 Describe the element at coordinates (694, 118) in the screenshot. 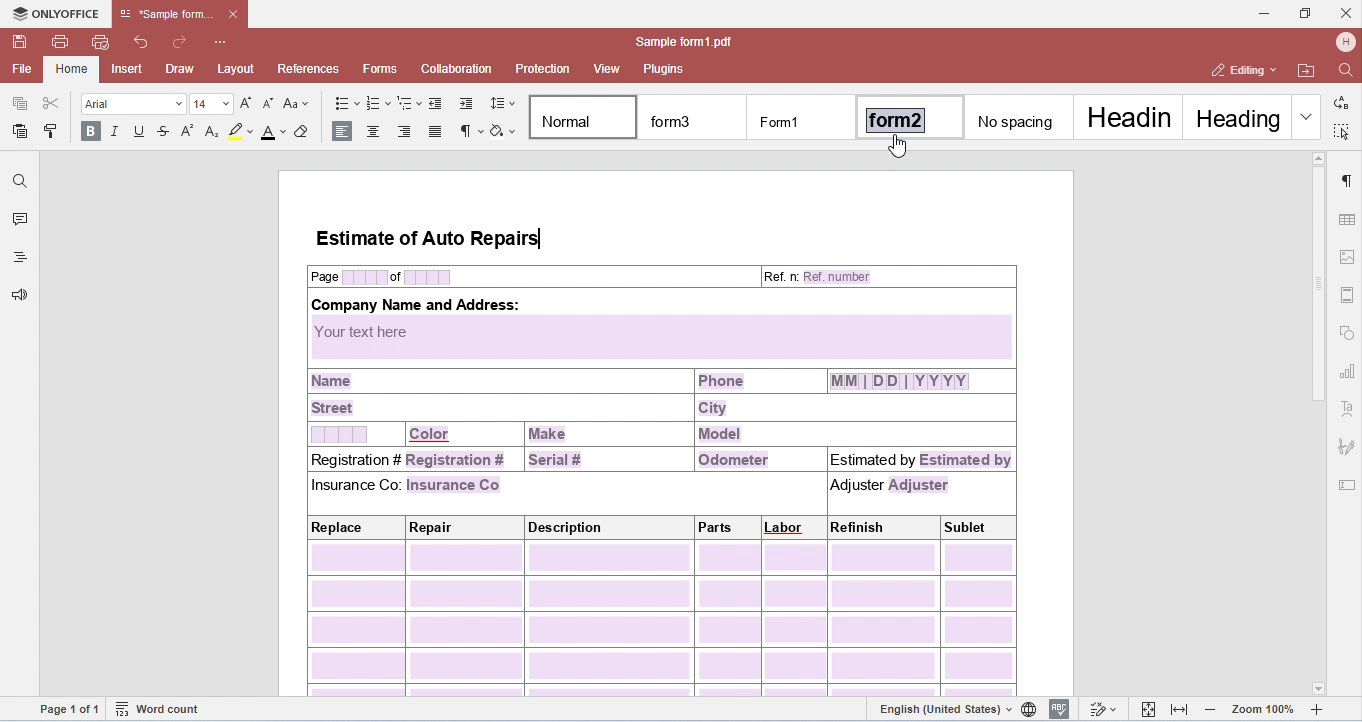

I see `form3` at that location.